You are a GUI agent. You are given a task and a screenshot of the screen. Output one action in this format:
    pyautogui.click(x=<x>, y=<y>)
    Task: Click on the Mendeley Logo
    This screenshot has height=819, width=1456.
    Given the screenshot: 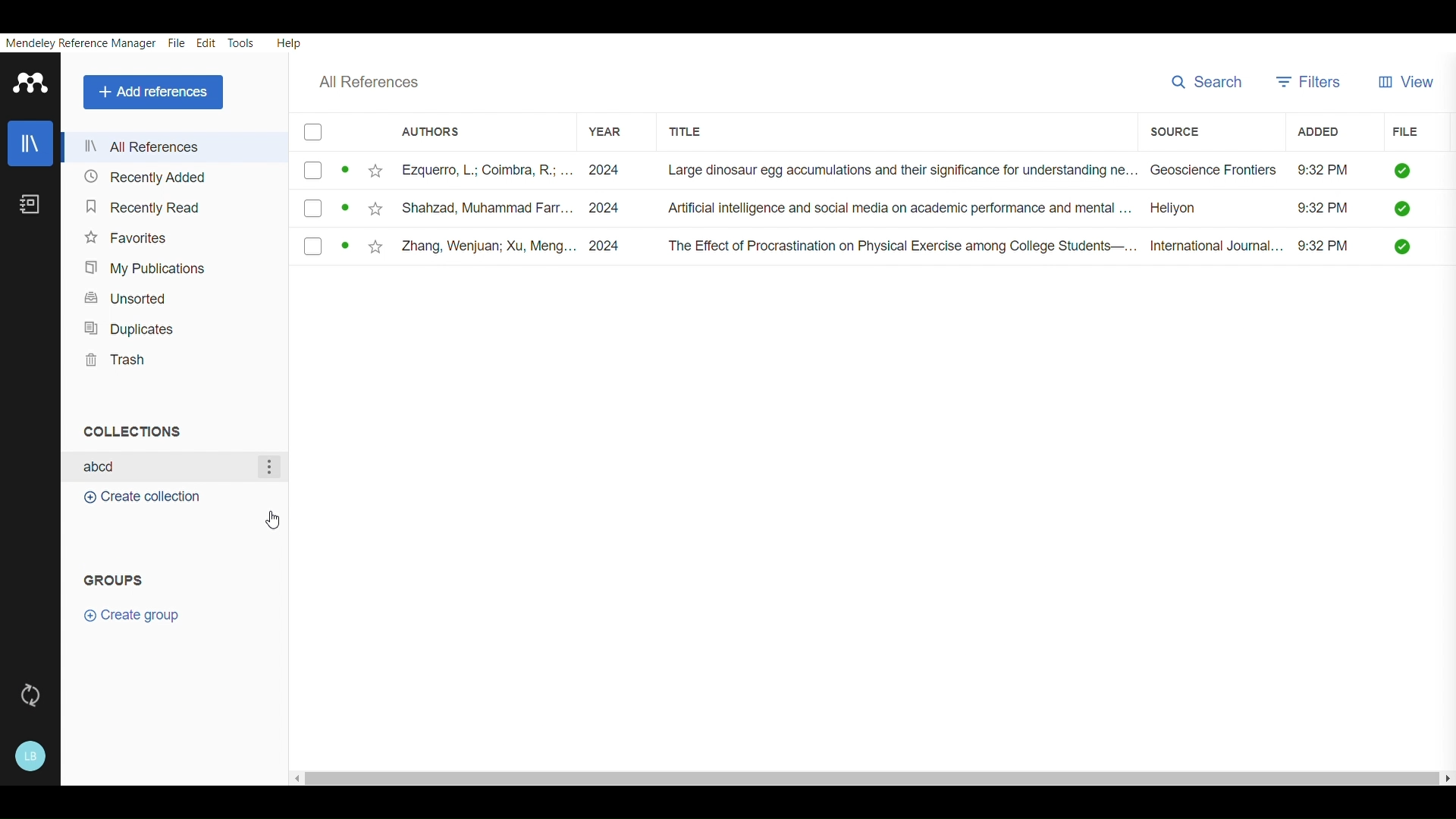 What is the action you would take?
    pyautogui.click(x=31, y=82)
    